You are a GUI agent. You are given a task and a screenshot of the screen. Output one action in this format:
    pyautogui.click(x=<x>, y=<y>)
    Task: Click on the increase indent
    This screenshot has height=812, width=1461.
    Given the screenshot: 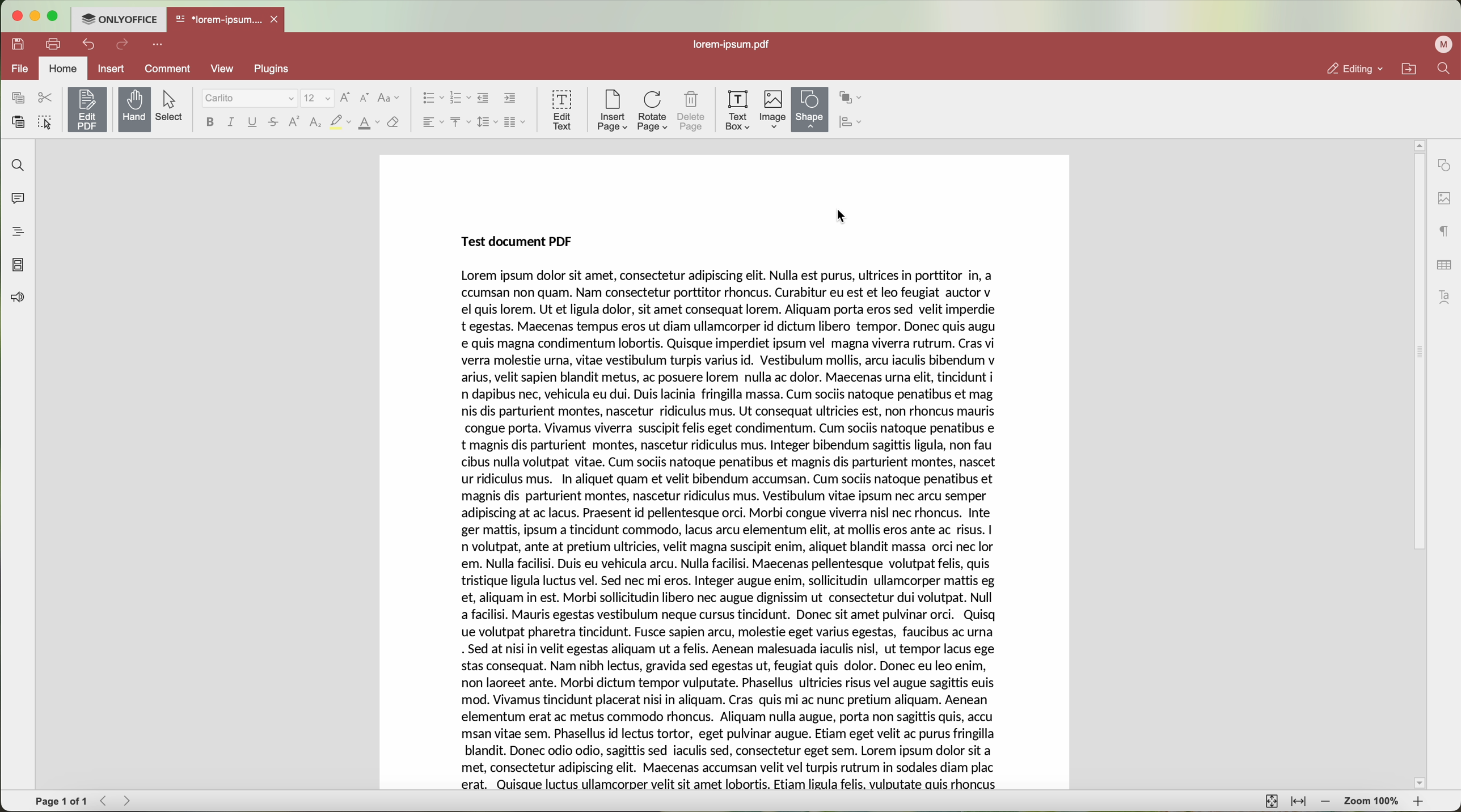 What is the action you would take?
    pyautogui.click(x=509, y=99)
    